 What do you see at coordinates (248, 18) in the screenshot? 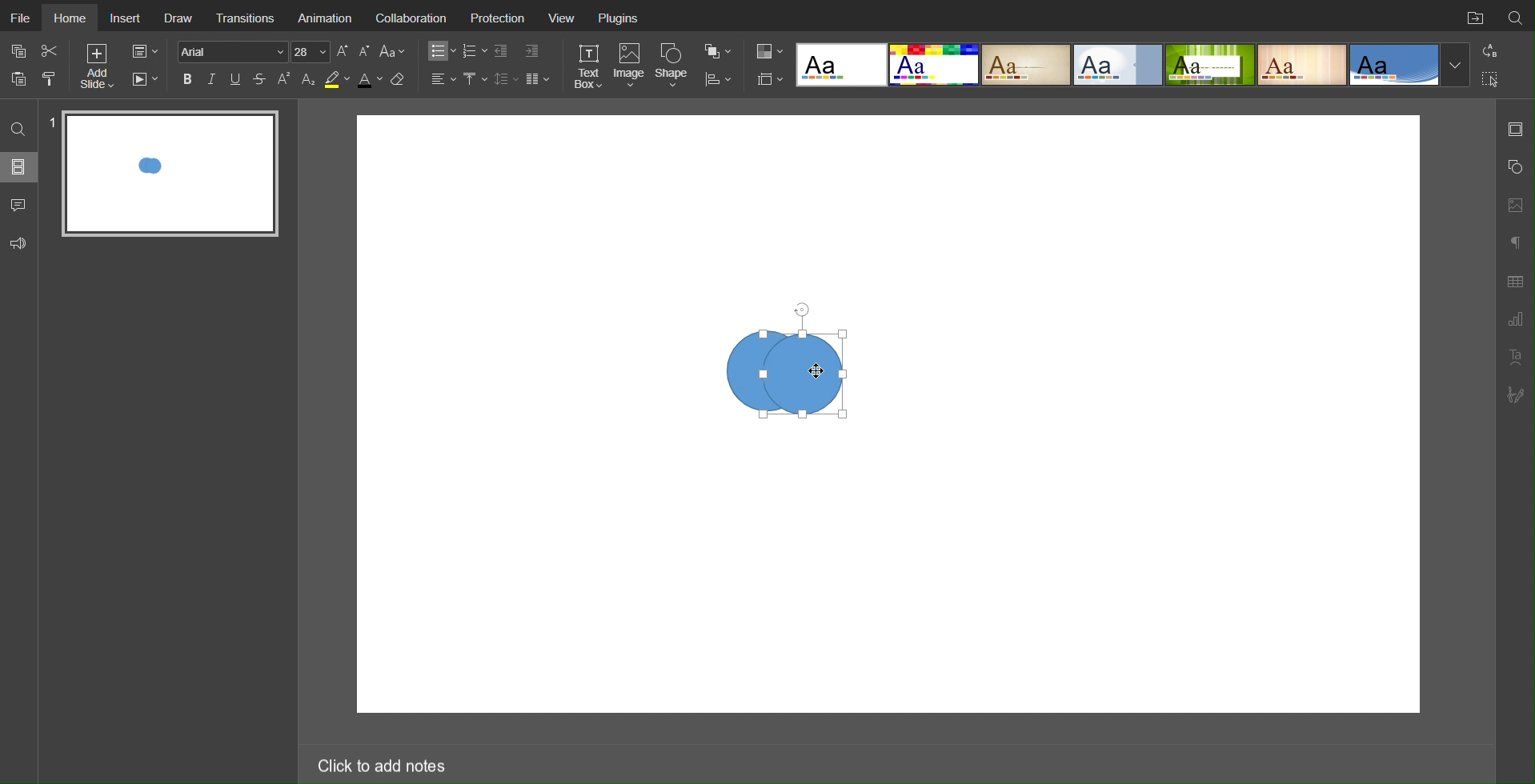
I see `Transitions` at bounding box center [248, 18].